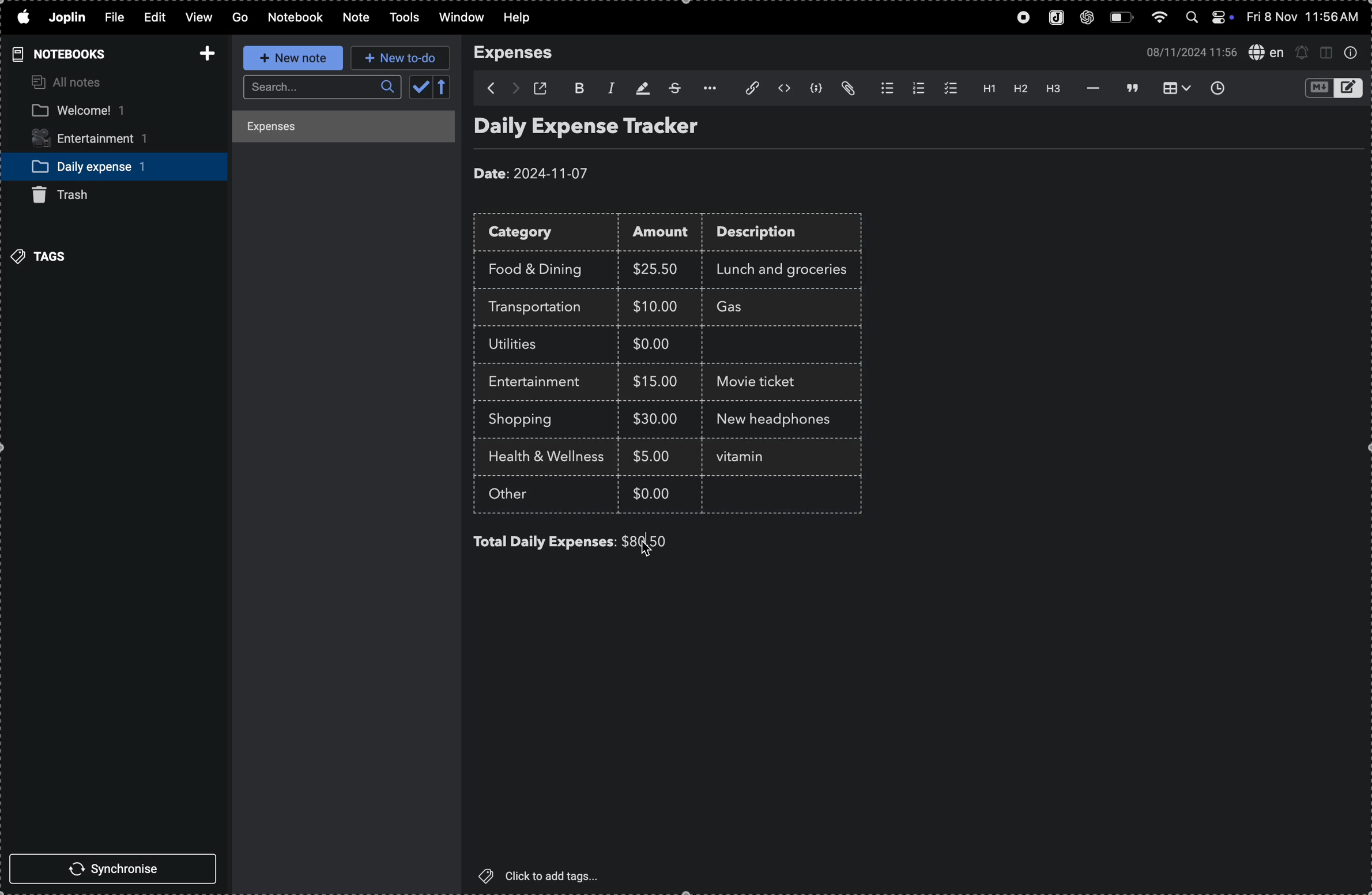  I want to click on $5.00, so click(654, 456).